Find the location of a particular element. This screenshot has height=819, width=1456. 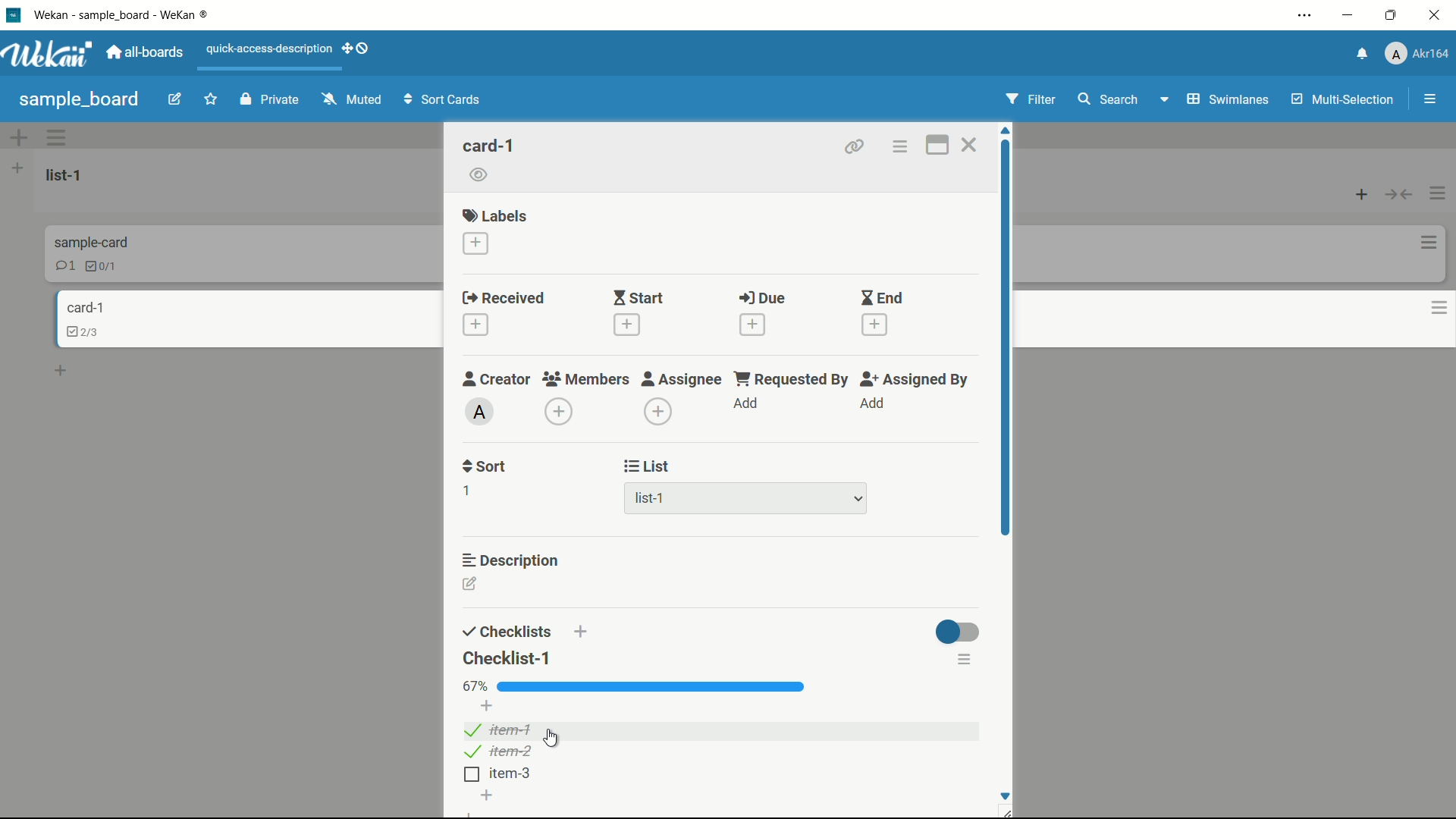

add date is located at coordinates (475, 325).